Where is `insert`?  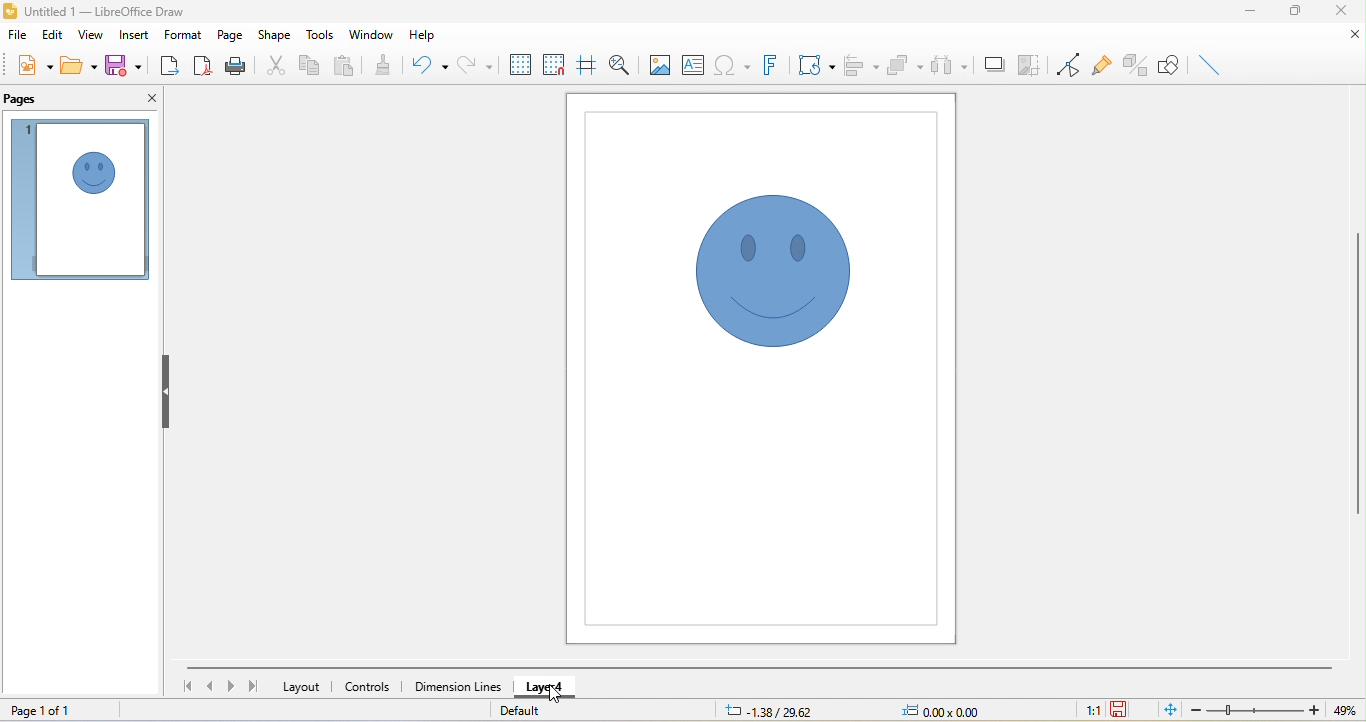 insert is located at coordinates (135, 35).